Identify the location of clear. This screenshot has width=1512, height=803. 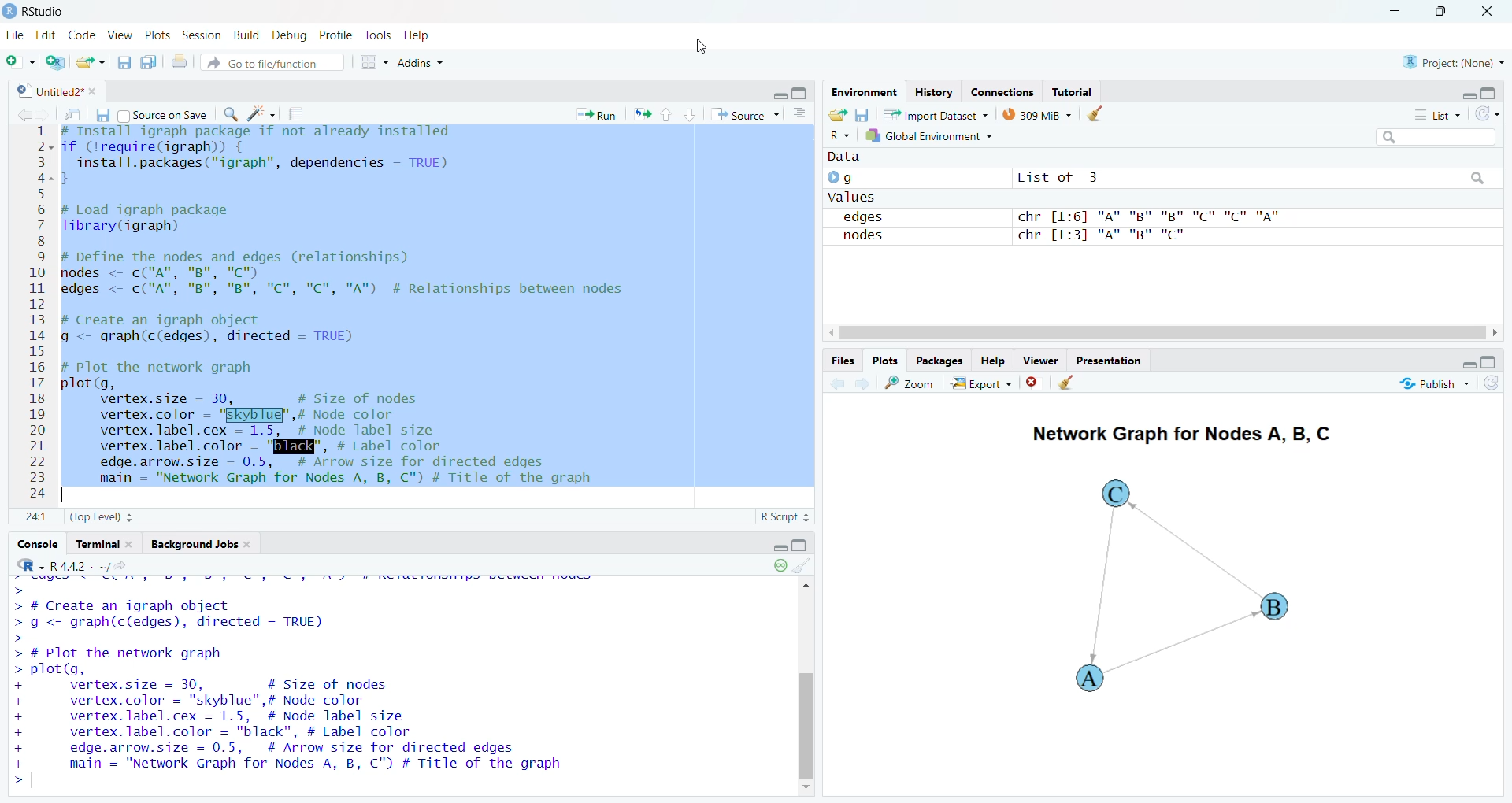
(1065, 385).